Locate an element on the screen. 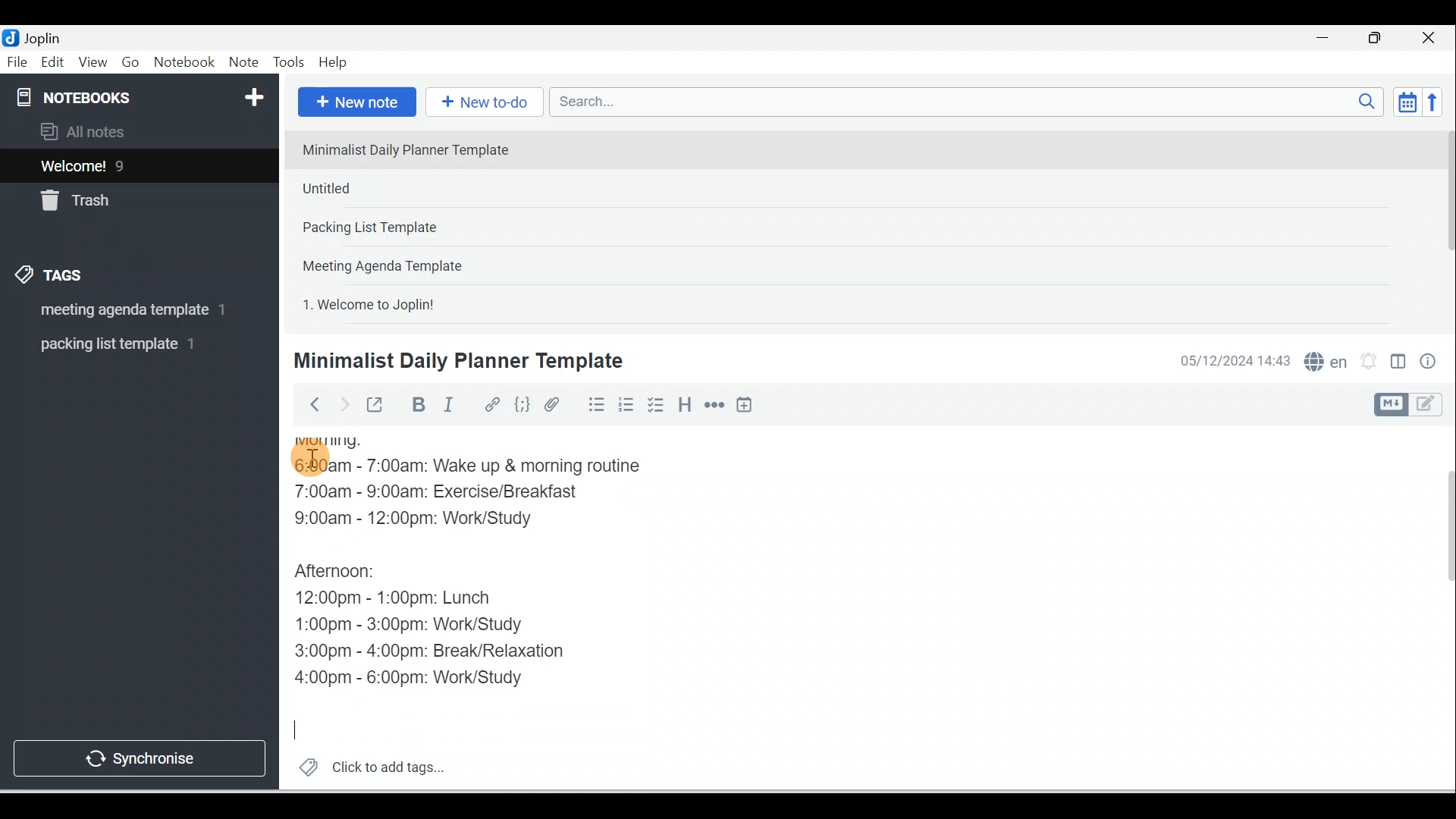  View is located at coordinates (93, 63).